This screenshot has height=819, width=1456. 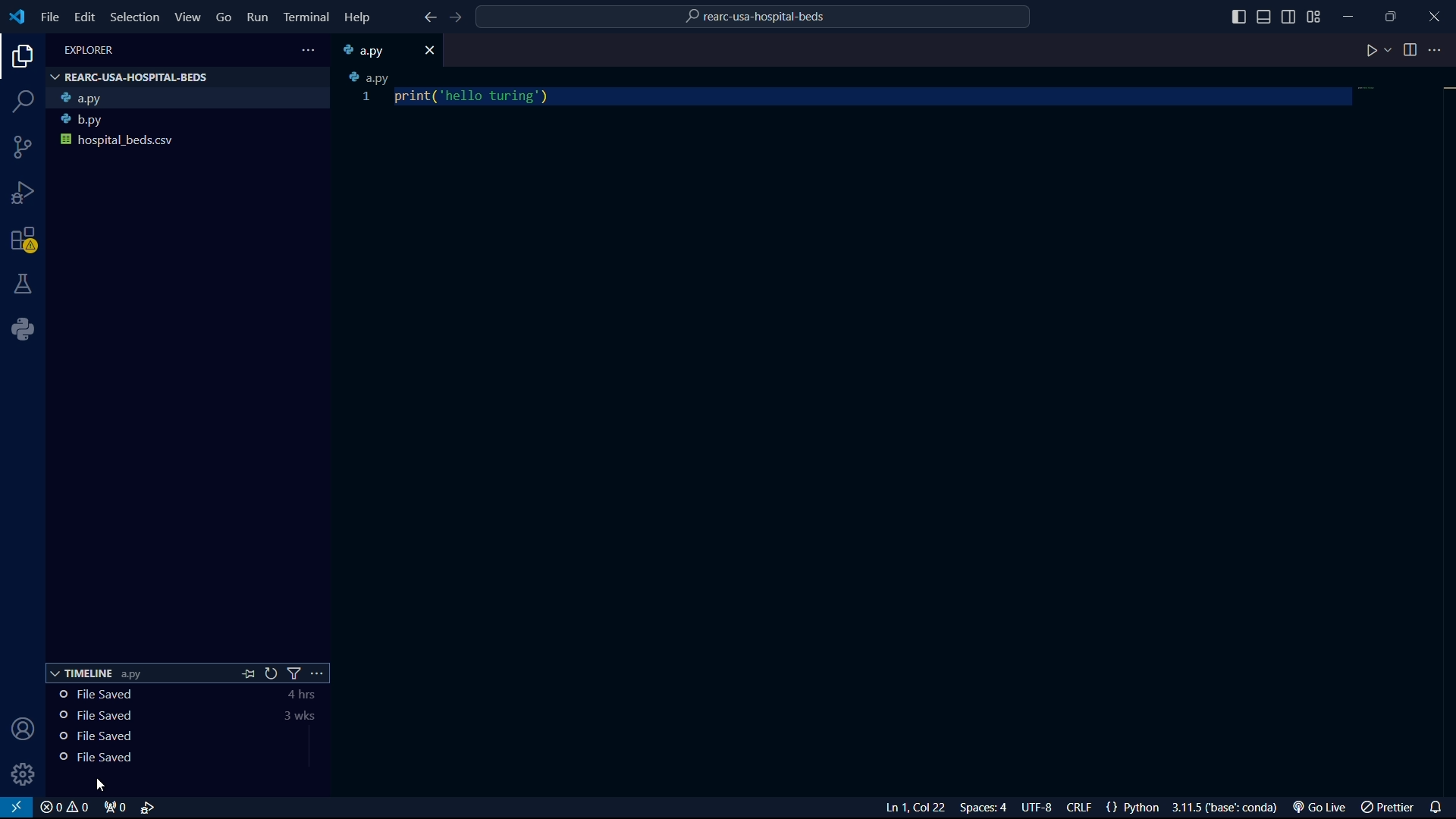 What do you see at coordinates (1434, 14) in the screenshot?
I see `close app` at bounding box center [1434, 14].